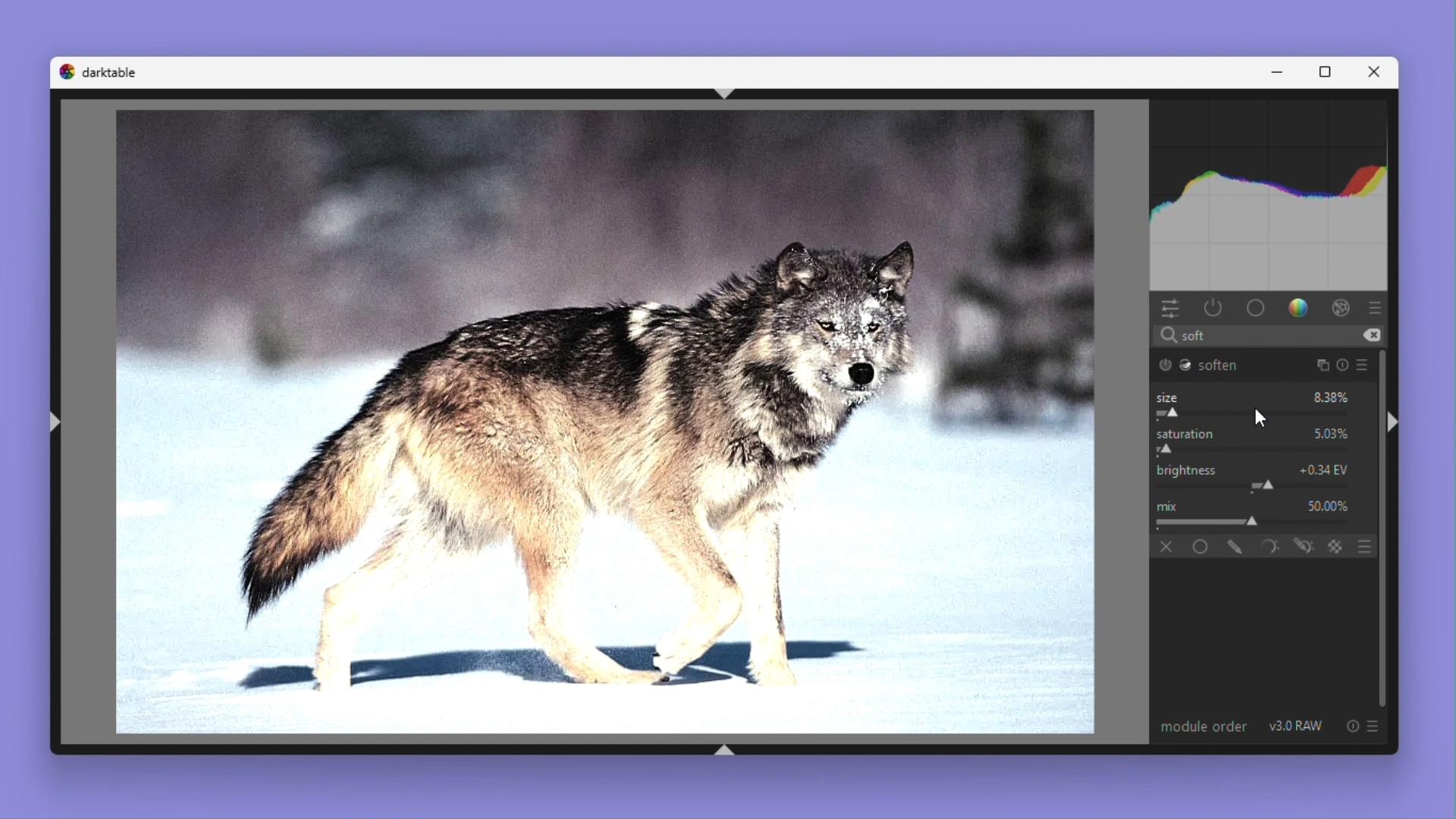  Describe the element at coordinates (1257, 485) in the screenshot. I see `slider` at that location.